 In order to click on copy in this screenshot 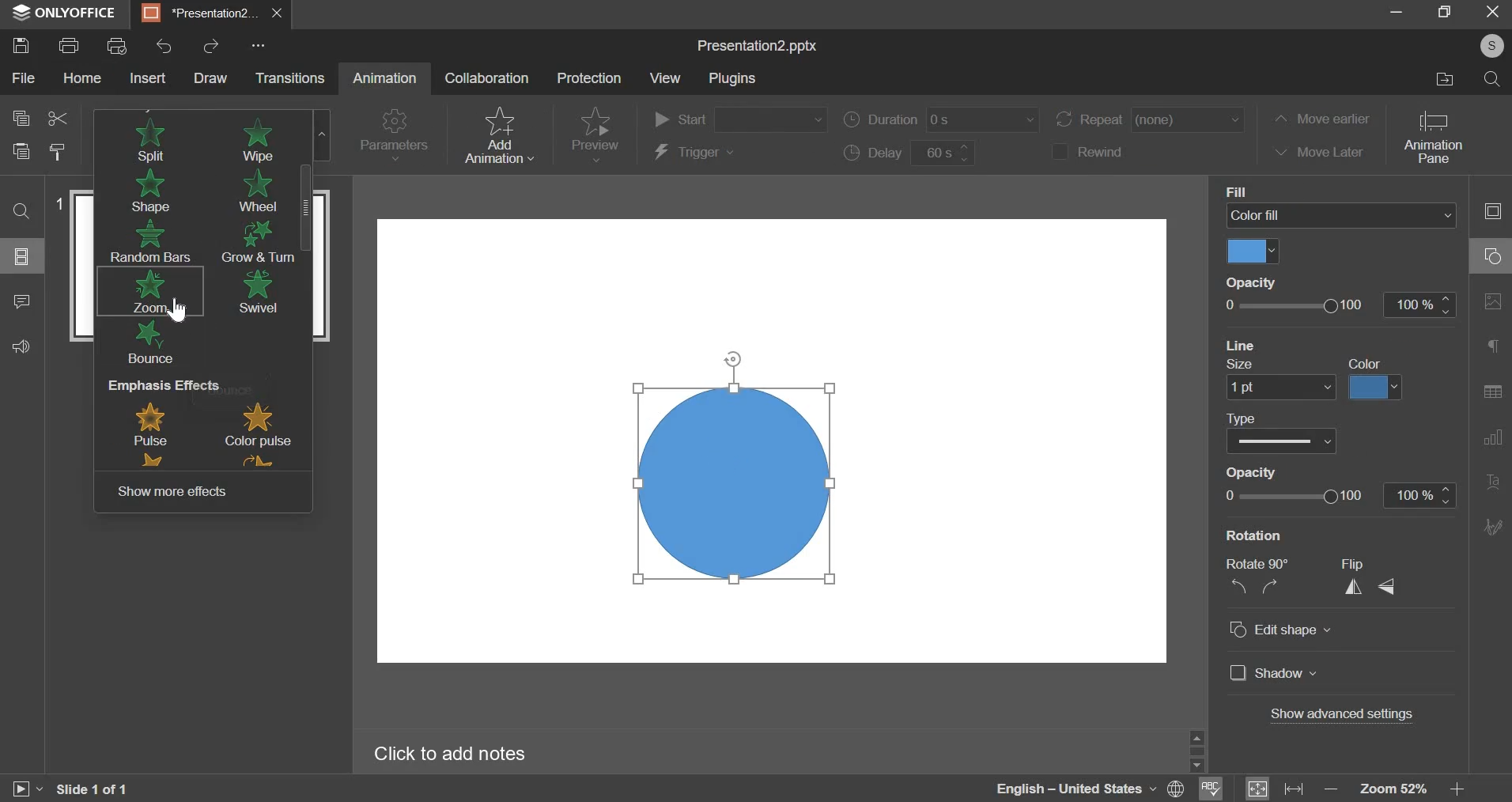, I will do `click(20, 116)`.